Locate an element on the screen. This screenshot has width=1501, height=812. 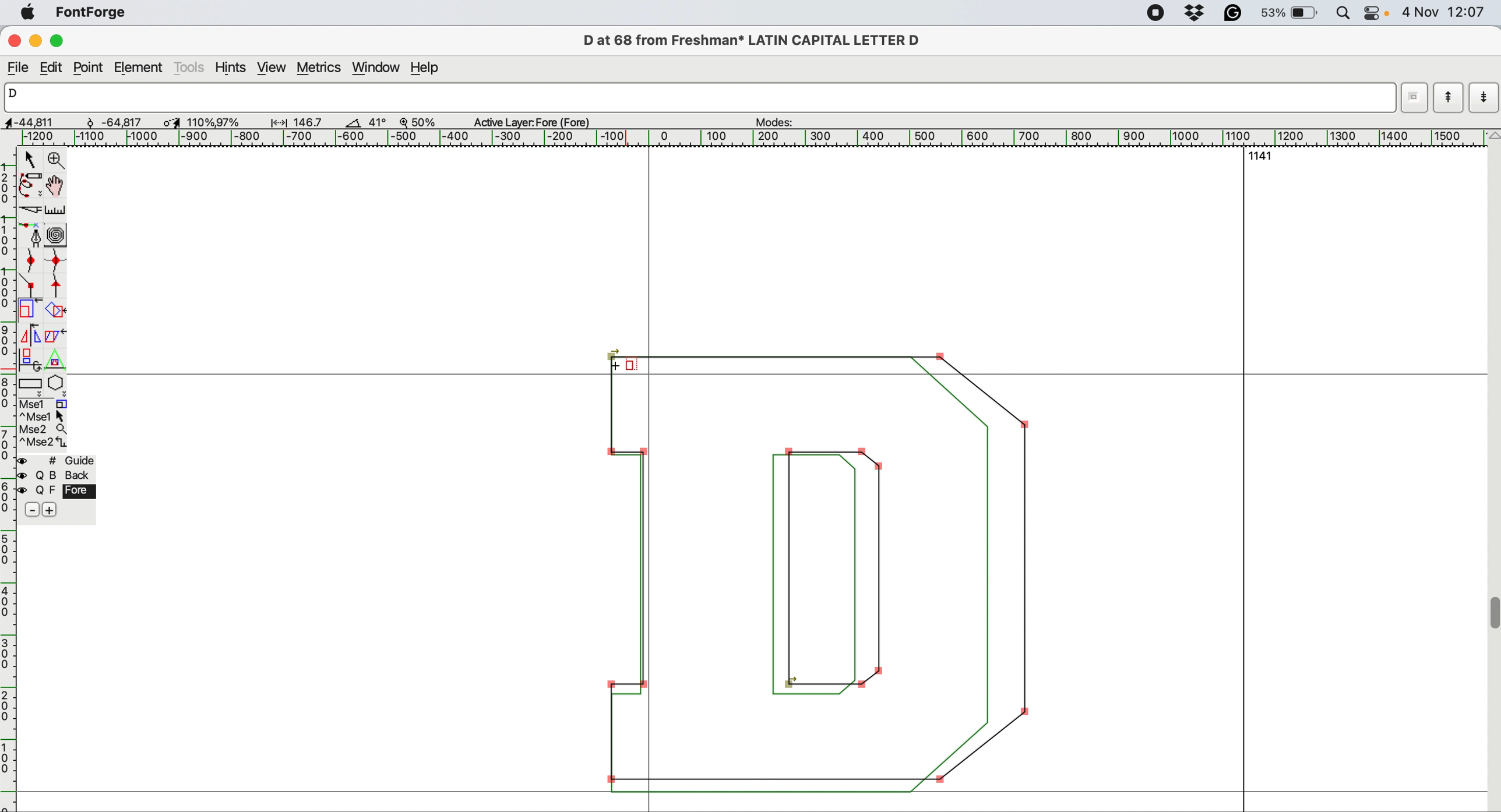
perform a perspective transformation on the selection is located at coordinates (54, 360).